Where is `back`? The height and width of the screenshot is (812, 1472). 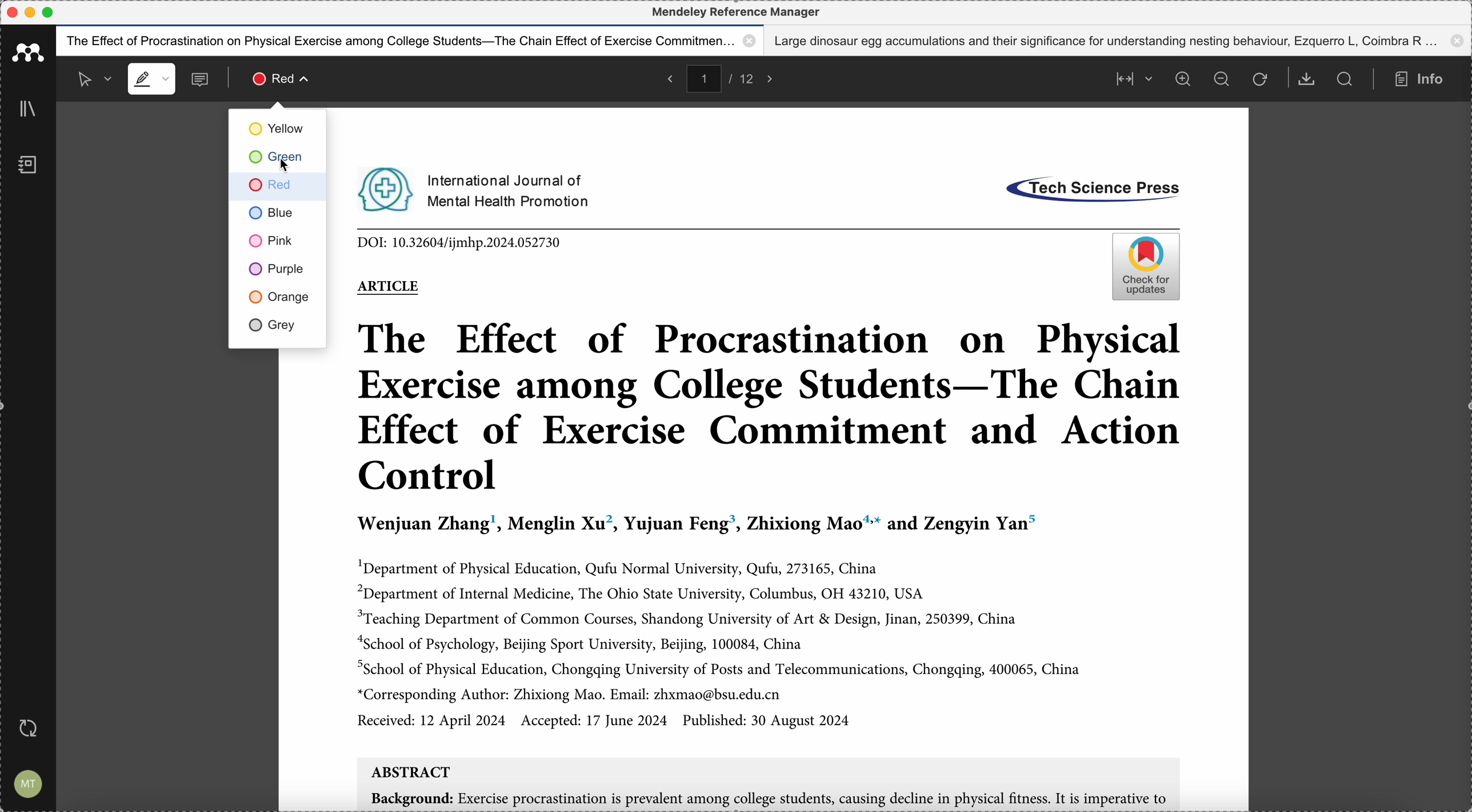 back is located at coordinates (668, 78).